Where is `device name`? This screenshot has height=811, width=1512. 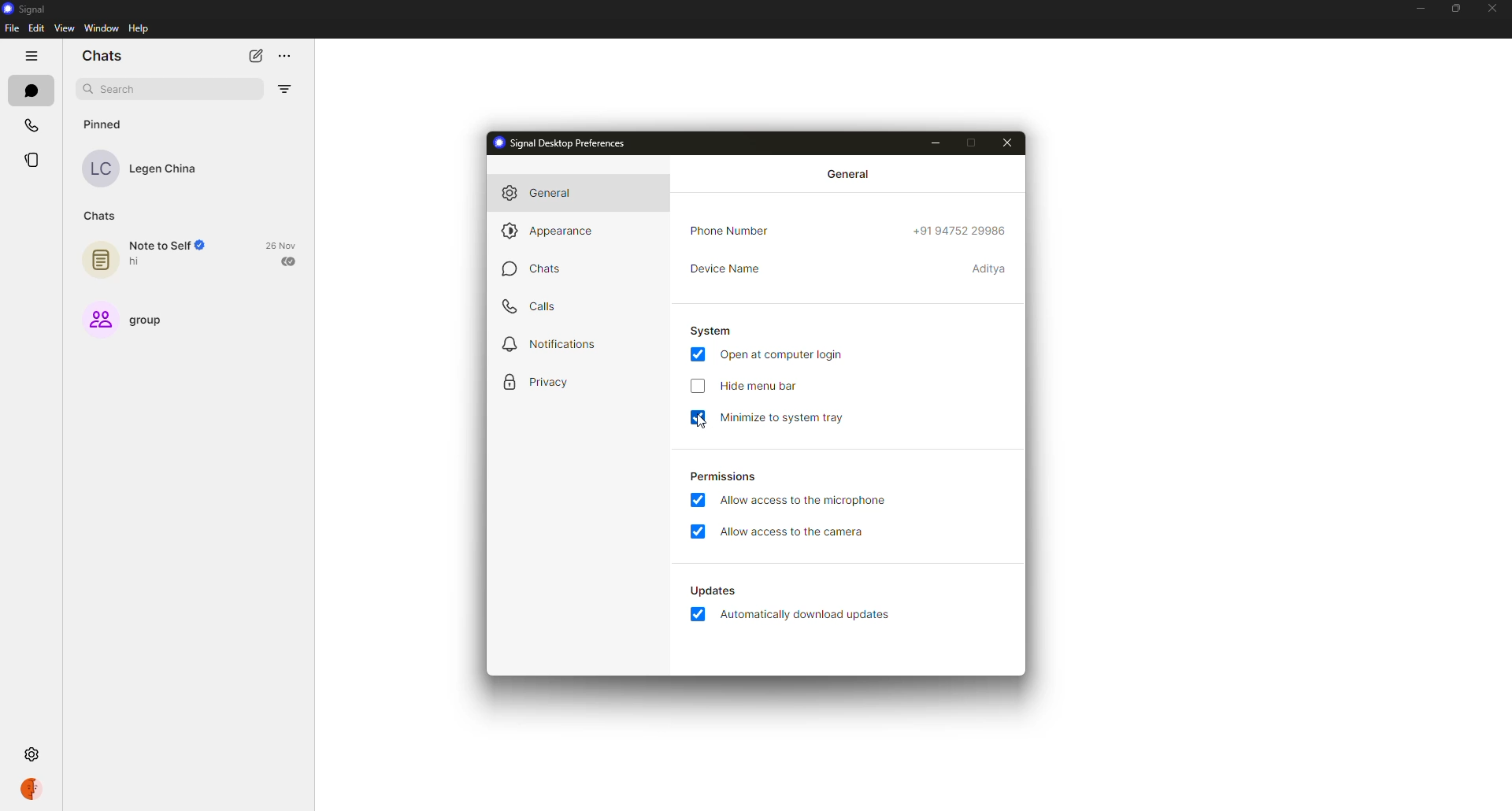
device name is located at coordinates (990, 269).